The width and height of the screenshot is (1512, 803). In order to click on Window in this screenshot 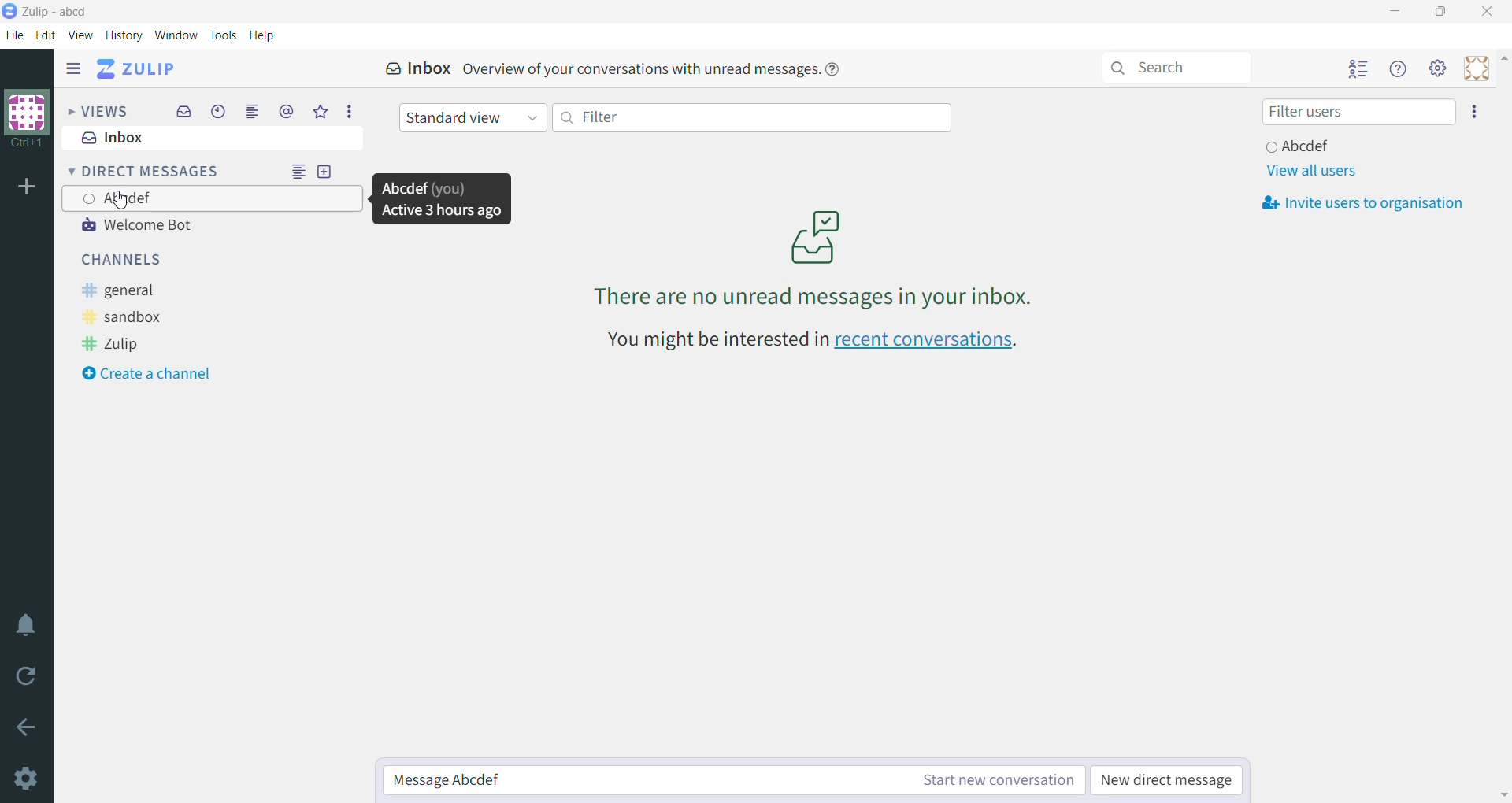, I will do `click(176, 35)`.